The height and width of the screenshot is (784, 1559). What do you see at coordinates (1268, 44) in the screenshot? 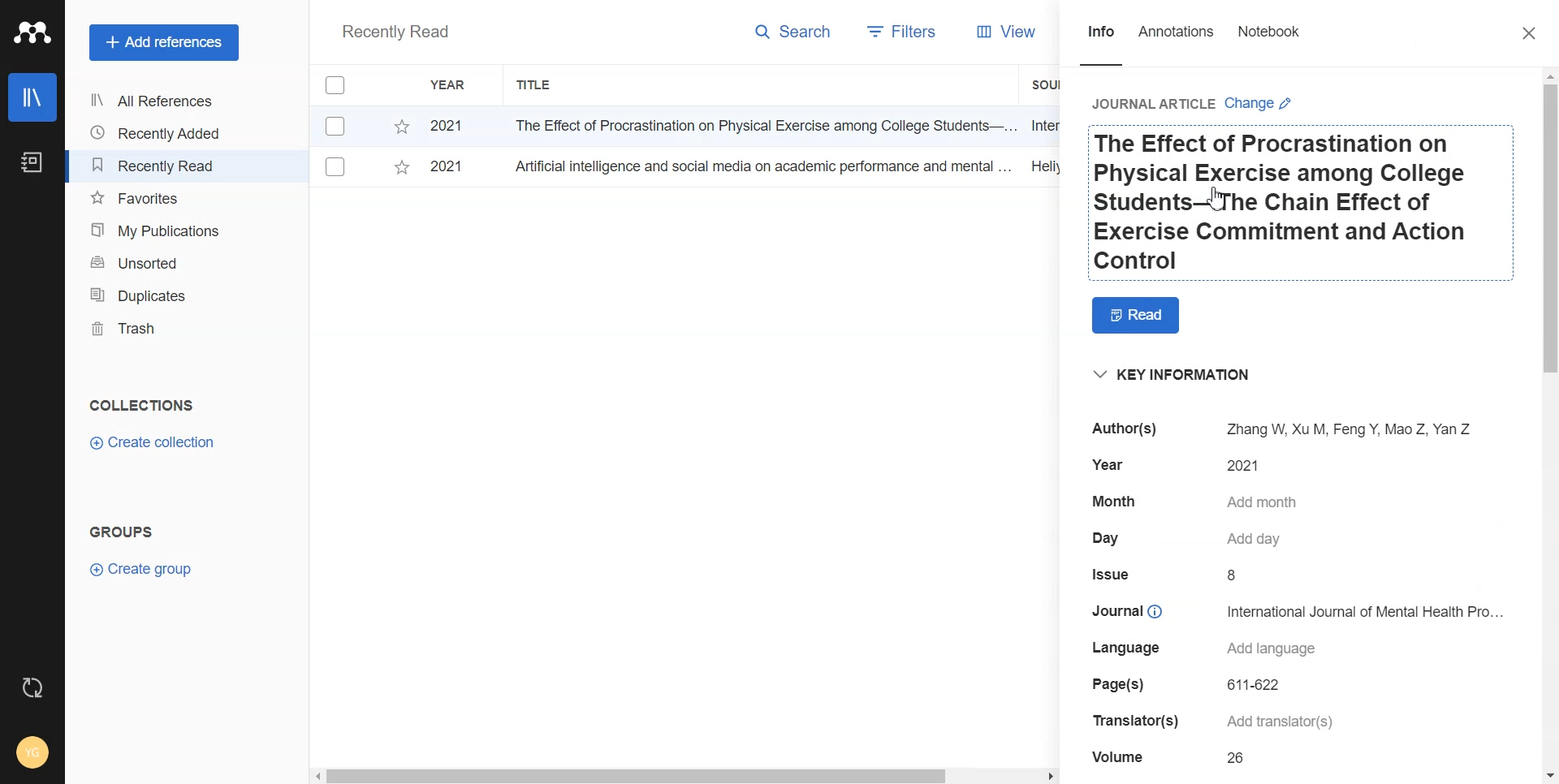
I see `Notebook` at bounding box center [1268, 44].